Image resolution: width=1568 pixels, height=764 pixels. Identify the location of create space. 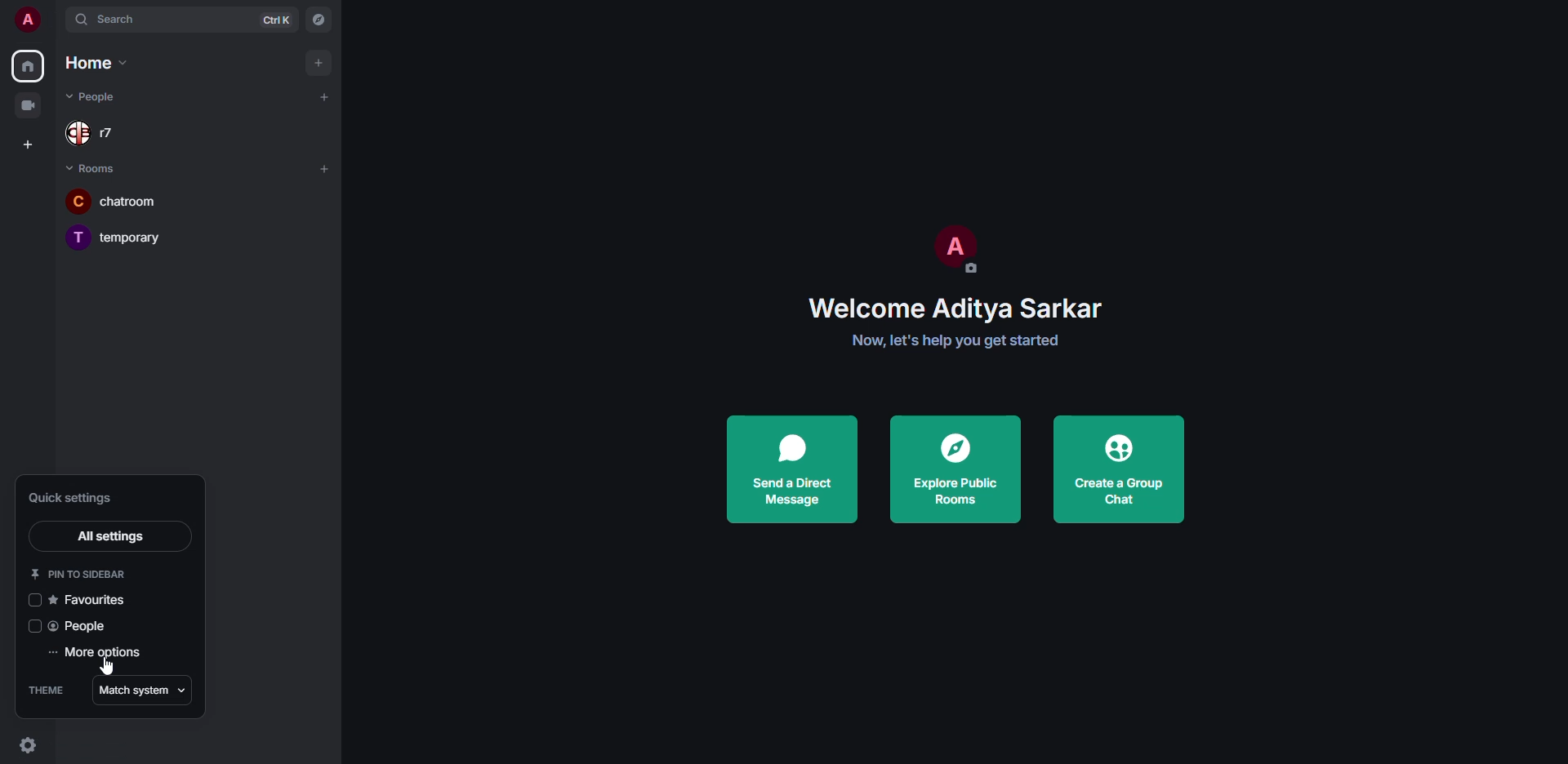
(30, 142).